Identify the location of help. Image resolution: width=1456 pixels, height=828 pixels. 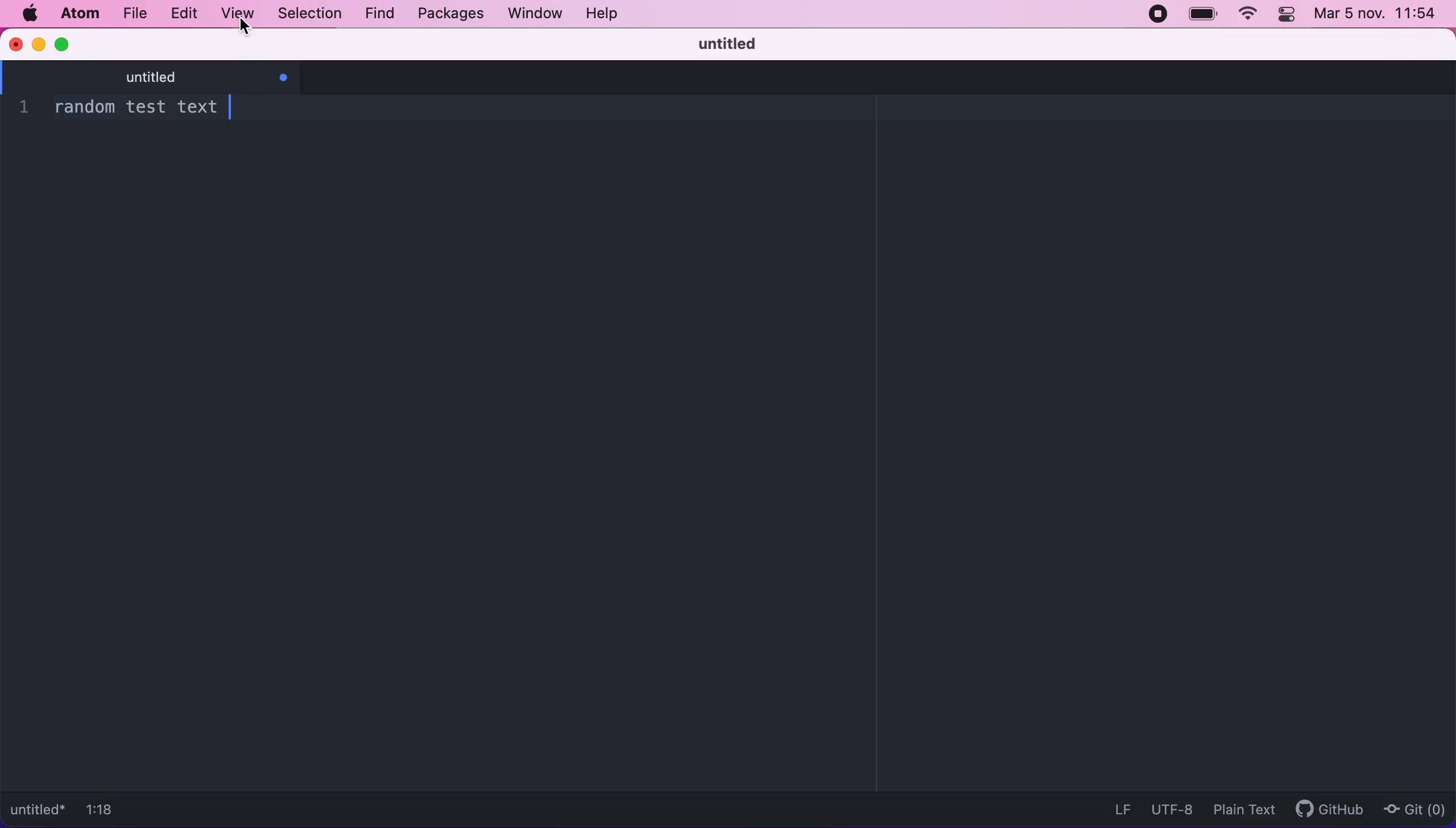
(614, 15).